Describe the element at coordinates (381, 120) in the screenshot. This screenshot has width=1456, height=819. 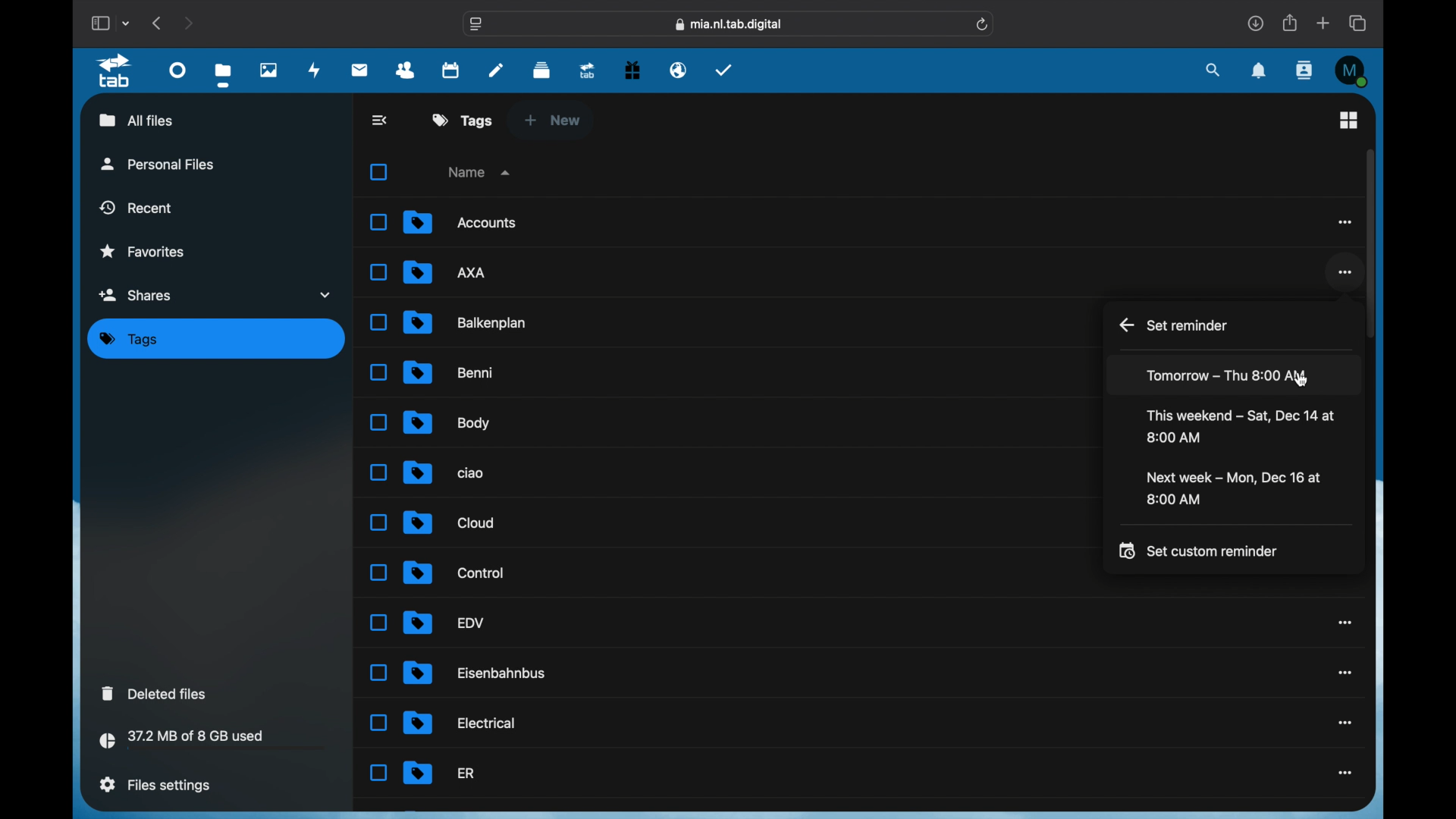
I see `back` at that location.